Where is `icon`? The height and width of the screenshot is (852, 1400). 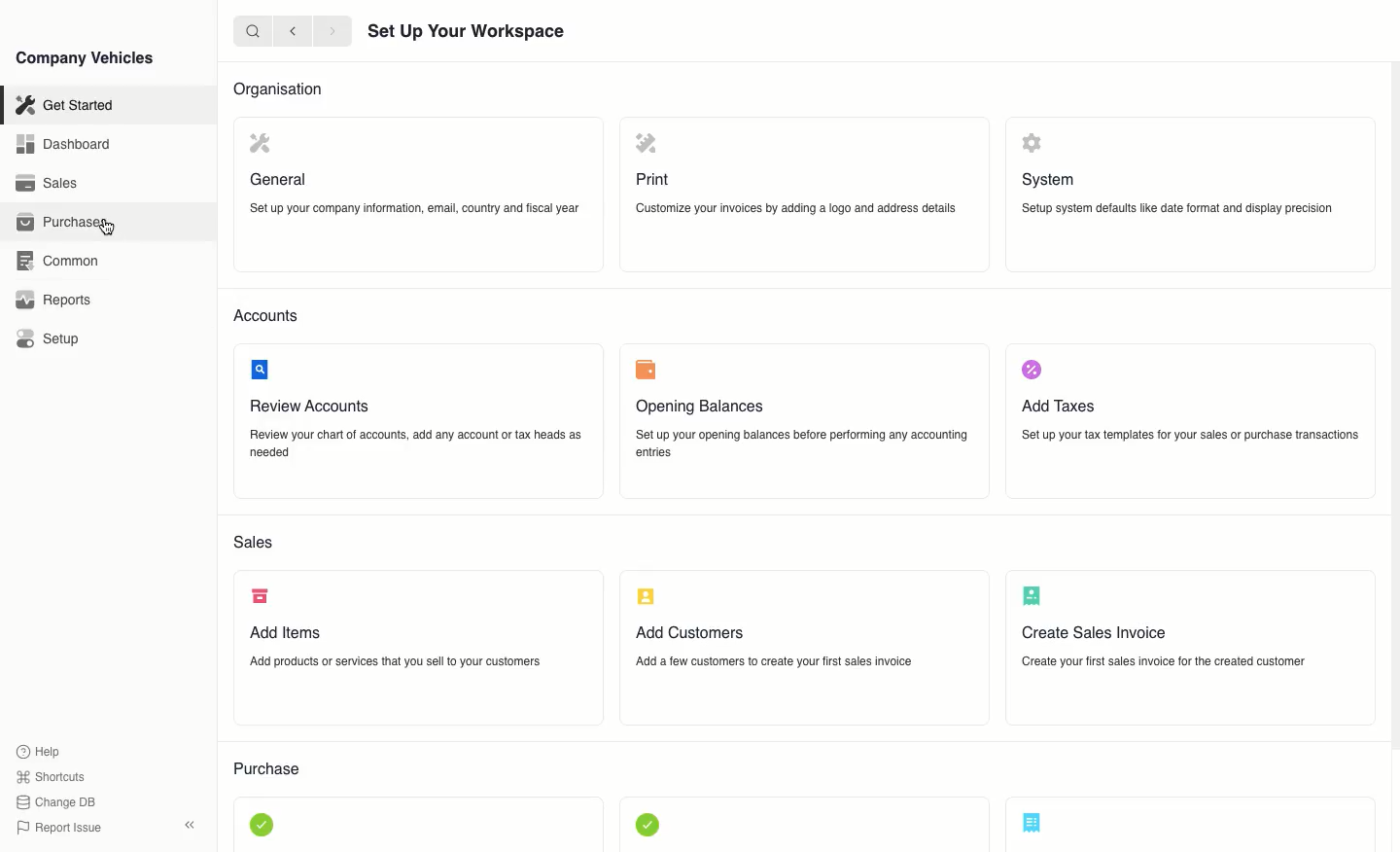
icon is located at coordinates (647, 146).